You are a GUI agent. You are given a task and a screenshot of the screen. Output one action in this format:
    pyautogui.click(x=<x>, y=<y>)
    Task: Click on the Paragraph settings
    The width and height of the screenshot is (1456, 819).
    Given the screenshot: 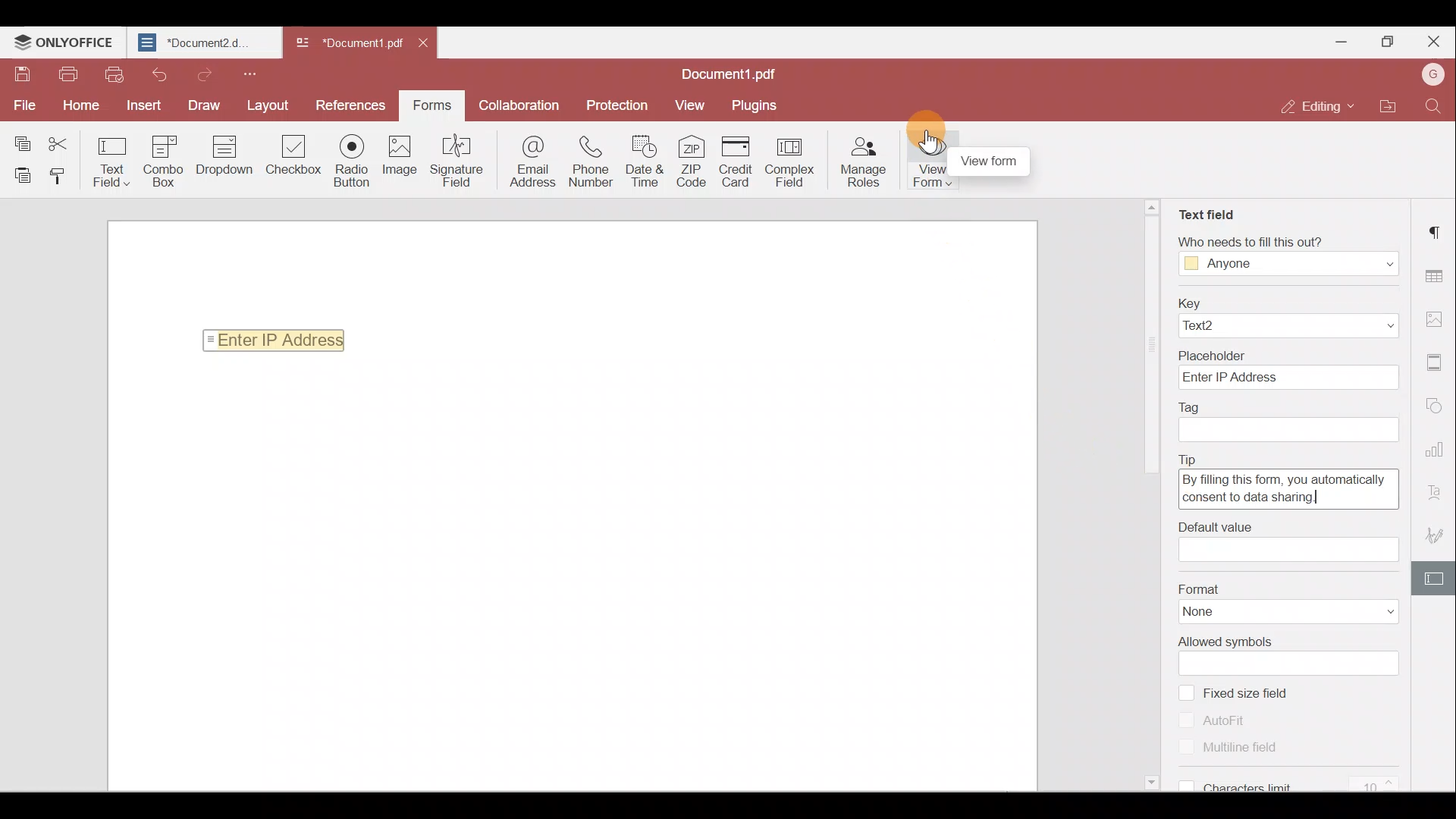 What is the action you would take?
    pyautogui.click(x=1437, y=231)
    